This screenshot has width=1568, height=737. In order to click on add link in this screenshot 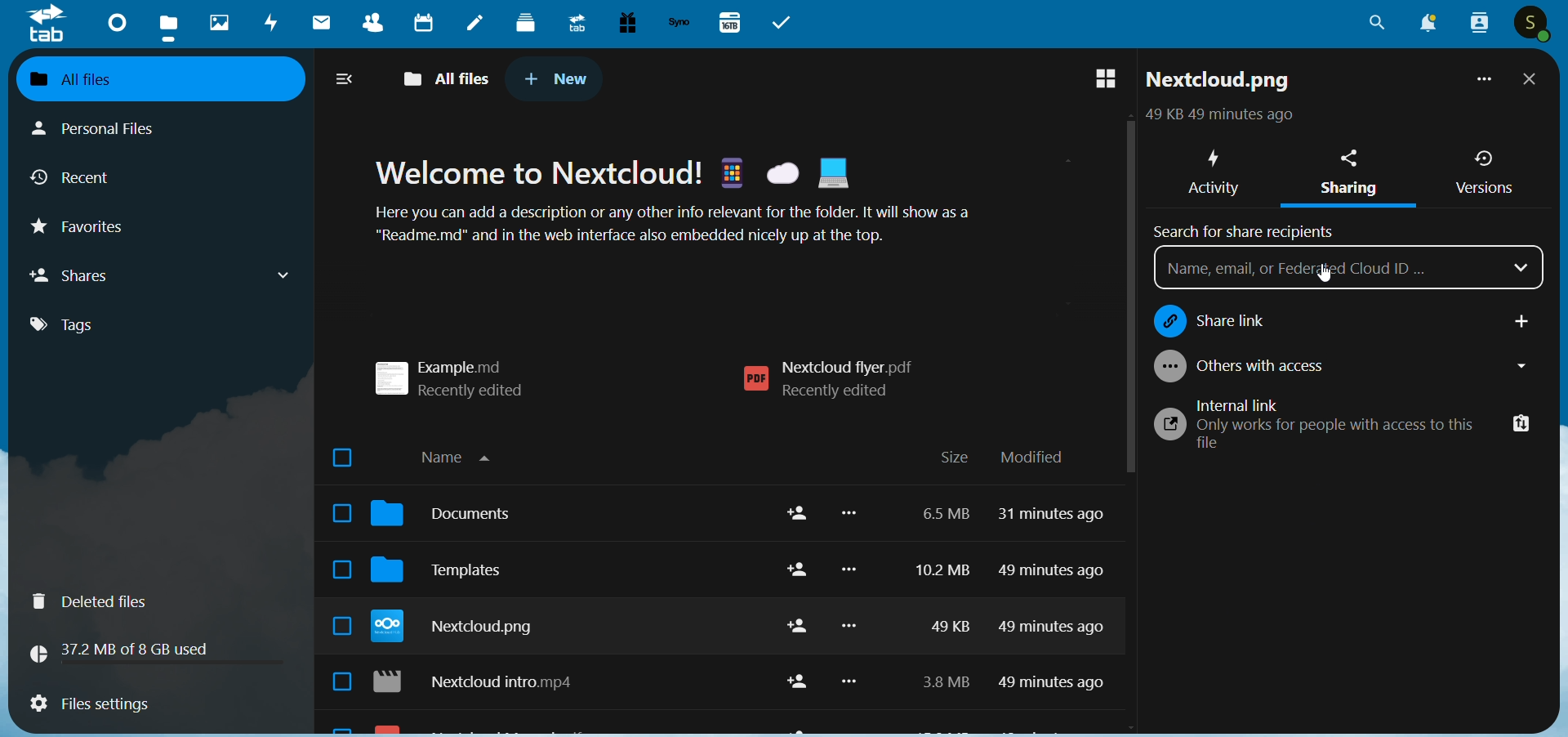, I will do `click(1521, 319)`.